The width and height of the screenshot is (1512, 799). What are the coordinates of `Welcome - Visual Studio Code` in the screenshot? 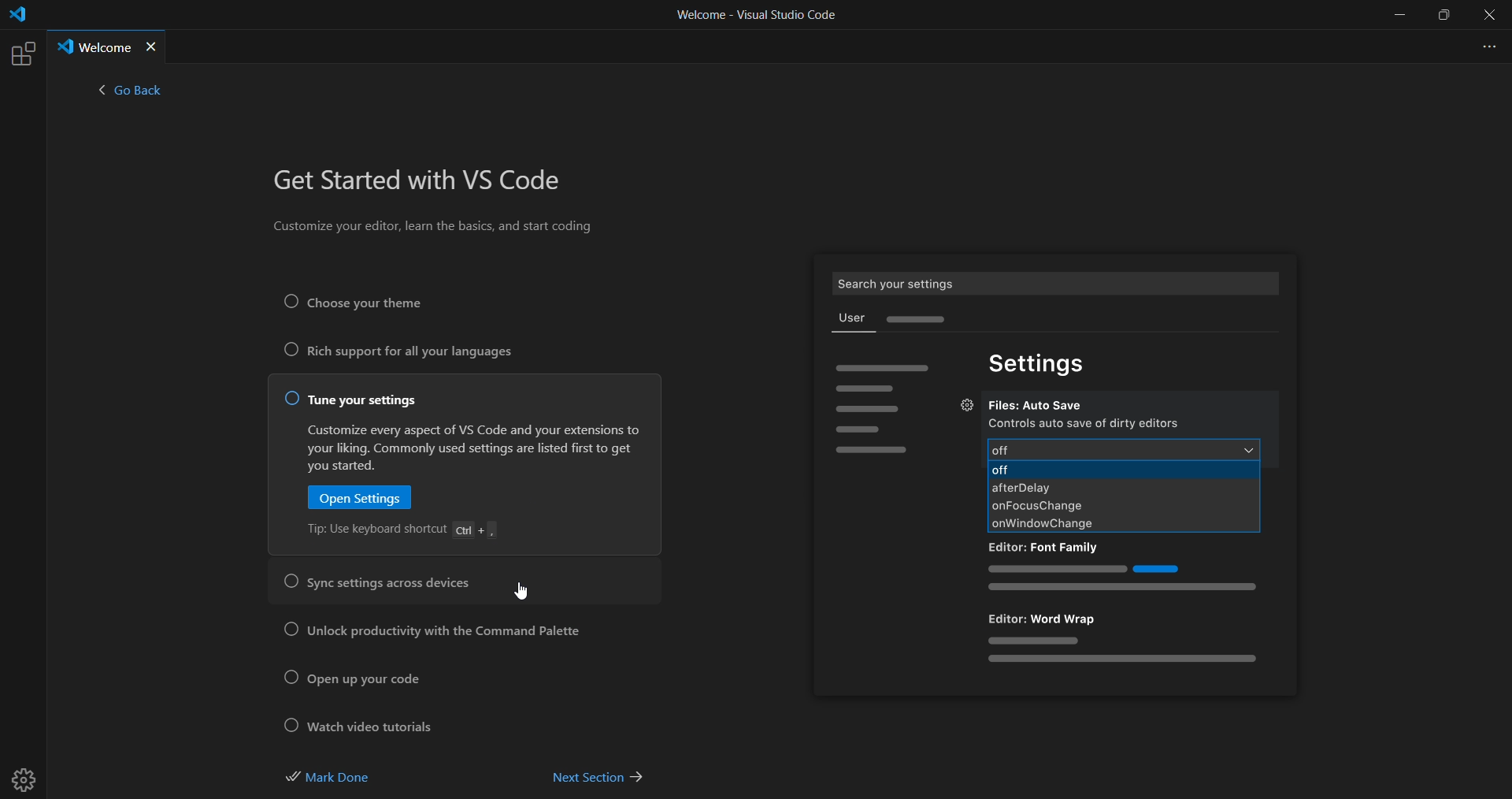 It's located at (755, 19).